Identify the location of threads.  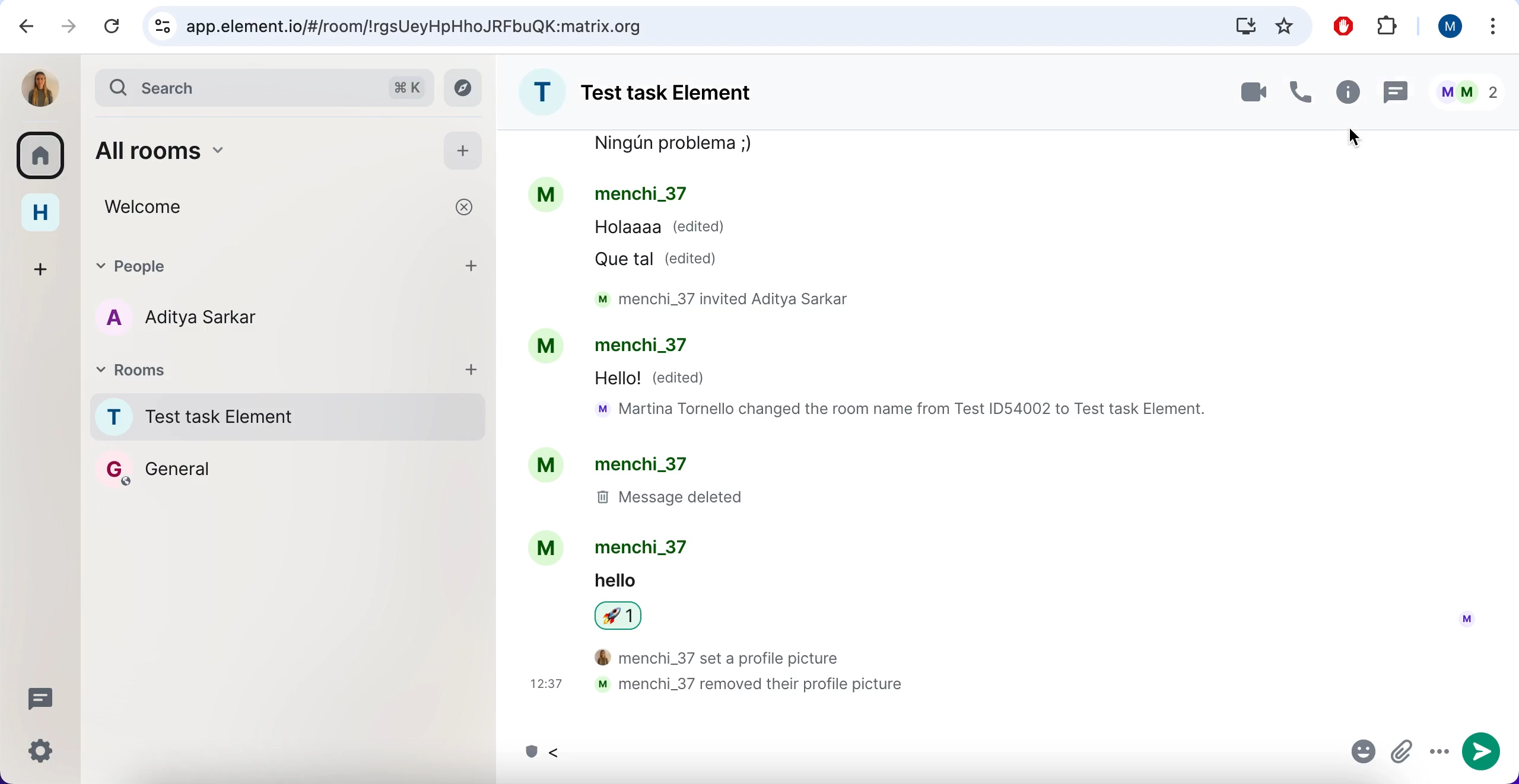
(40, 698).